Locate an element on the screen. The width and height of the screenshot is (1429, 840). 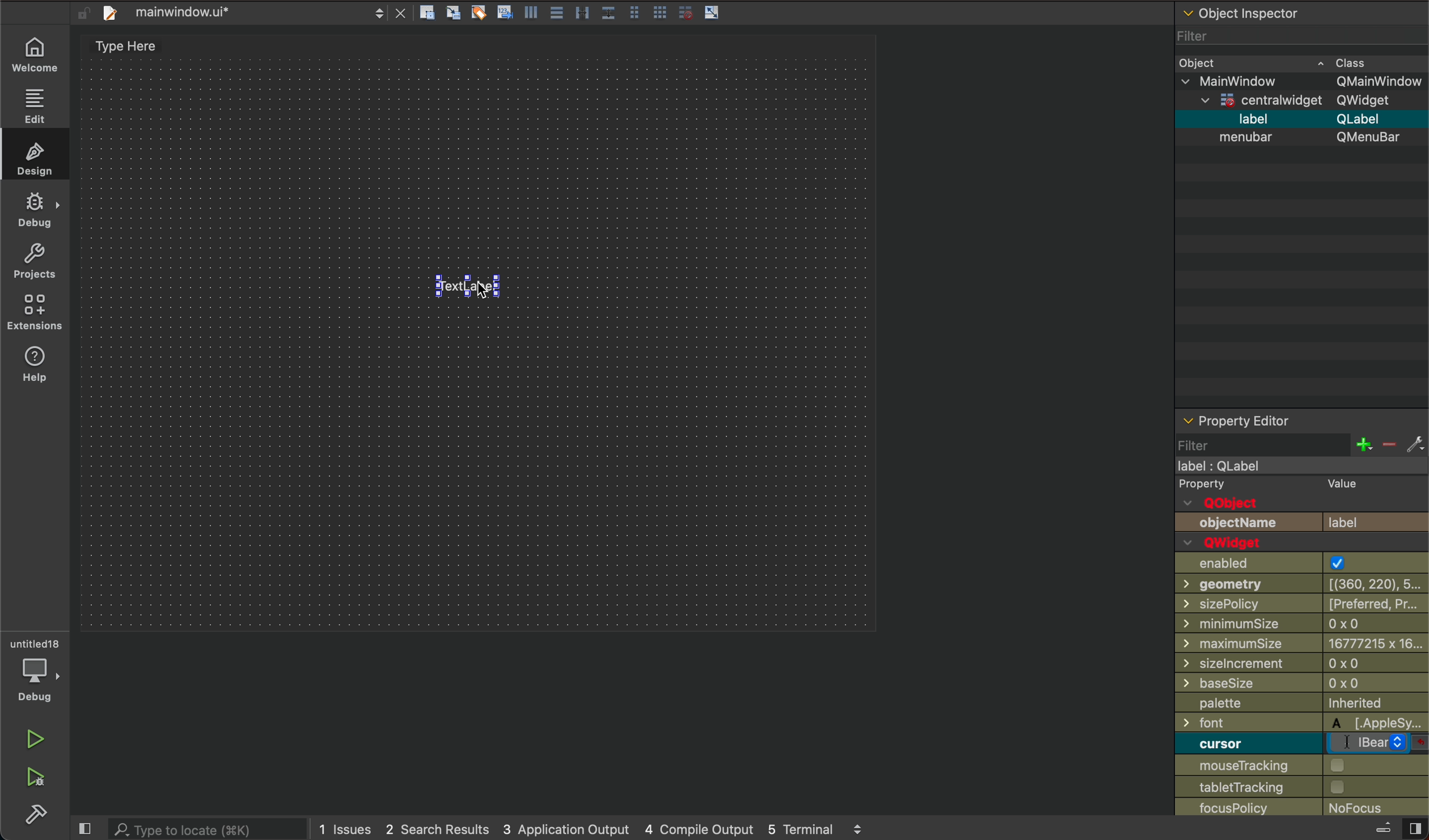
4 compile output is located at coordinates (696, 825).